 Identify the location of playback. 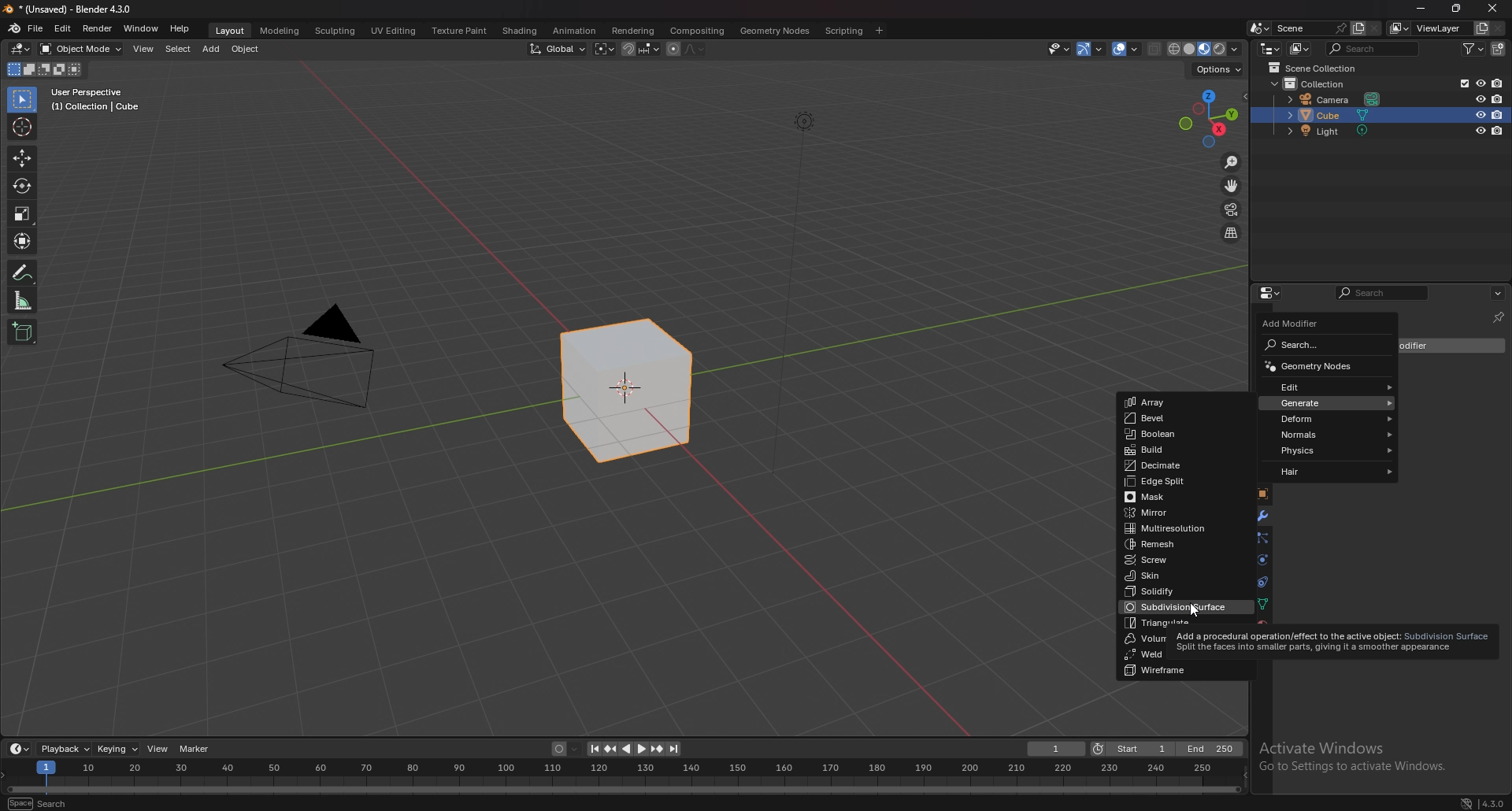
(67, 749).